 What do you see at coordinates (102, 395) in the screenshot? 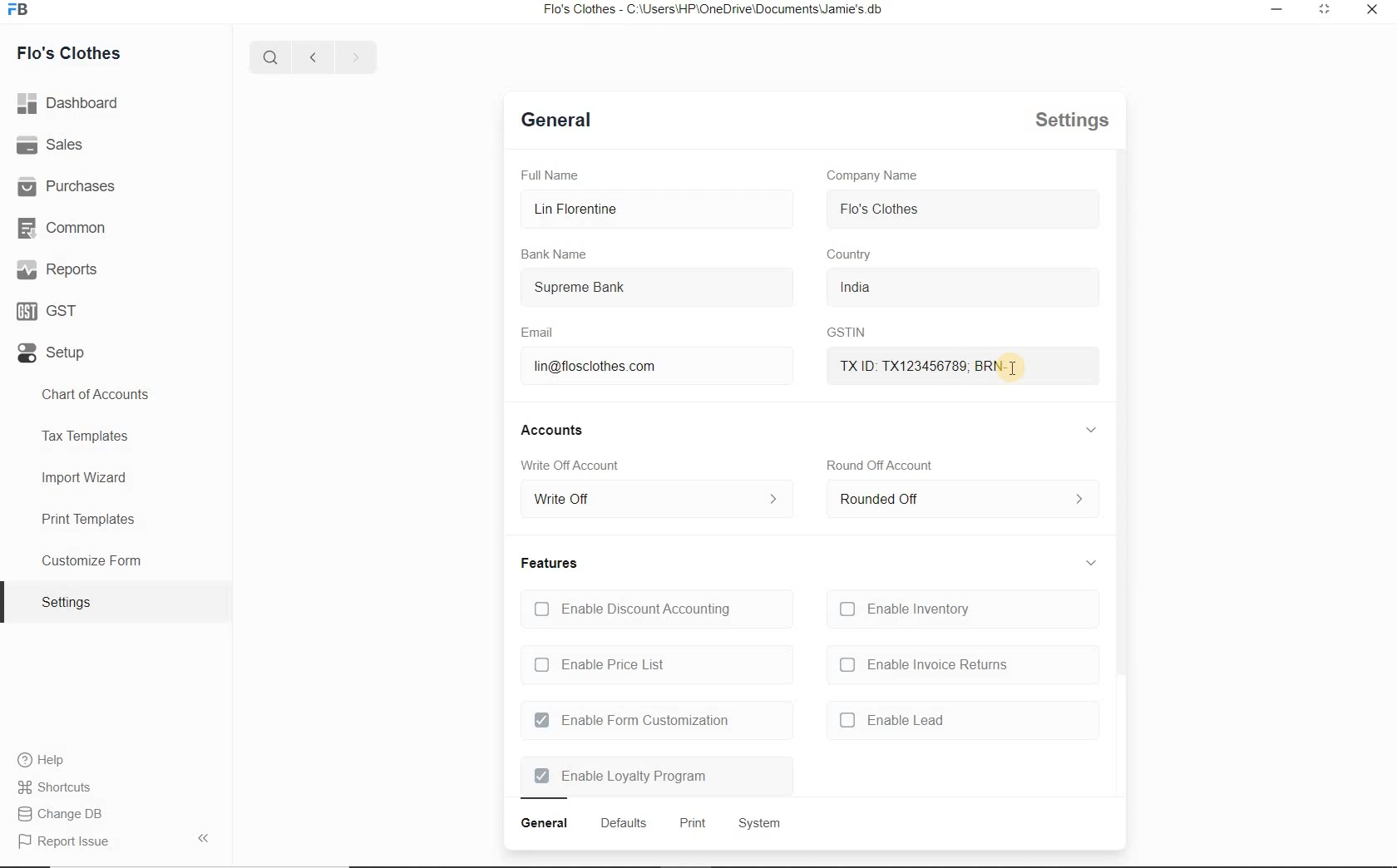
I see `Chart of Accounts` at bounding box center [102, 395].